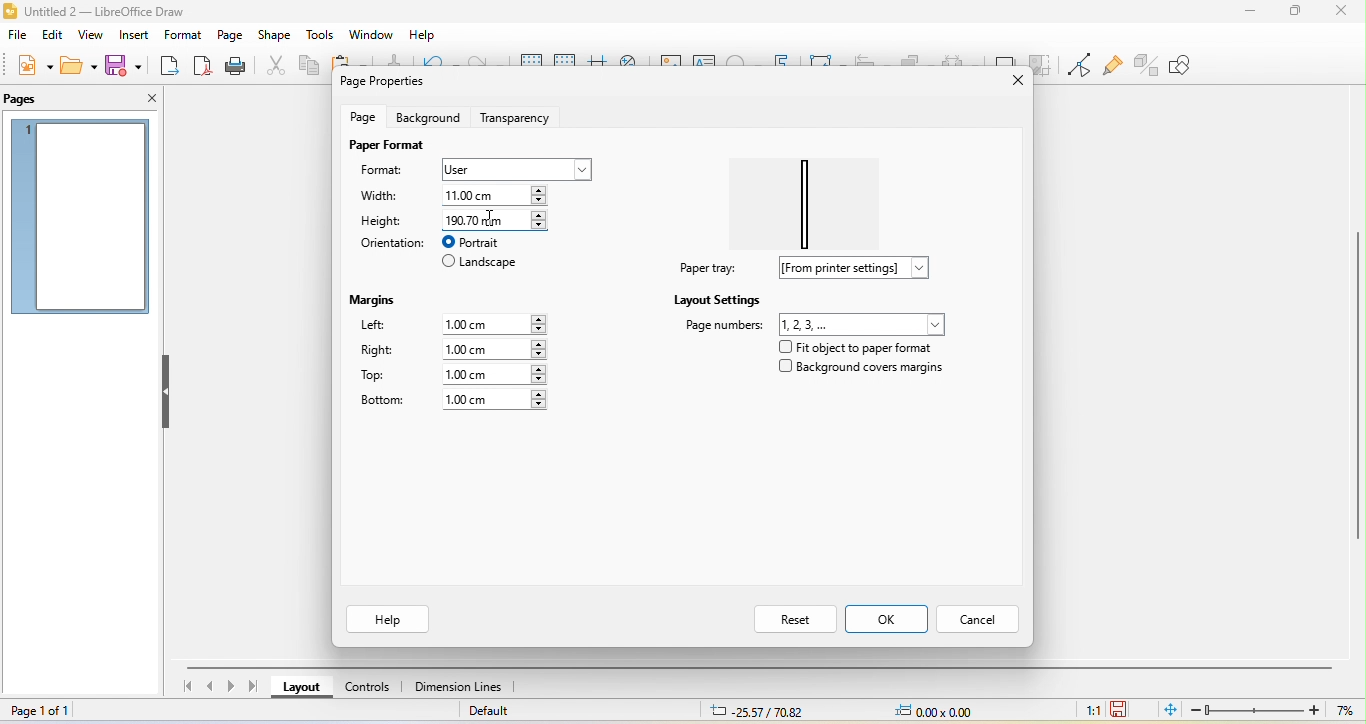  What do you see at coordinates (495, 400) in the screenshot?
I see `1.00 cm` at bounding box center [495, 400].